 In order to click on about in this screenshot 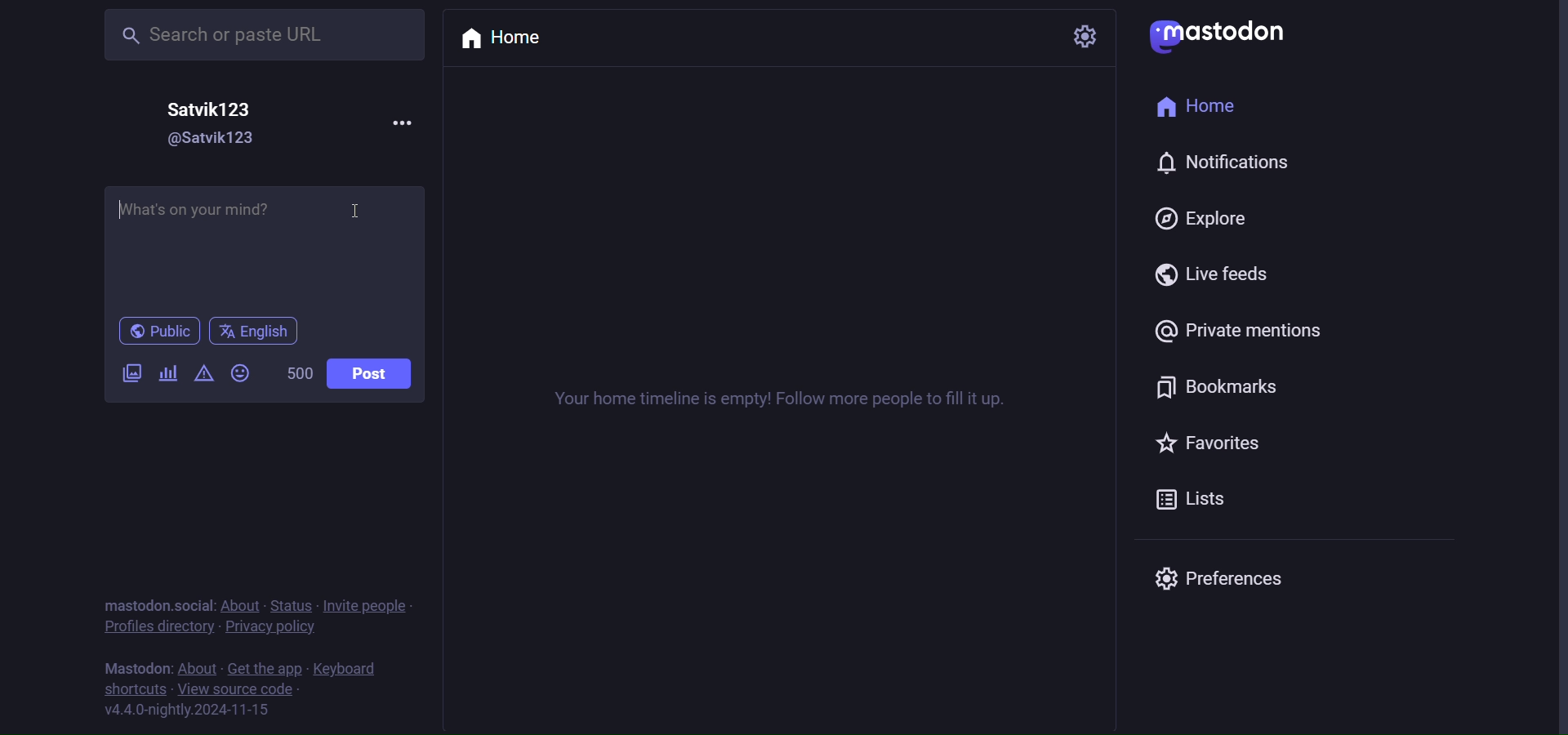, I will do `click(244, 607)`.